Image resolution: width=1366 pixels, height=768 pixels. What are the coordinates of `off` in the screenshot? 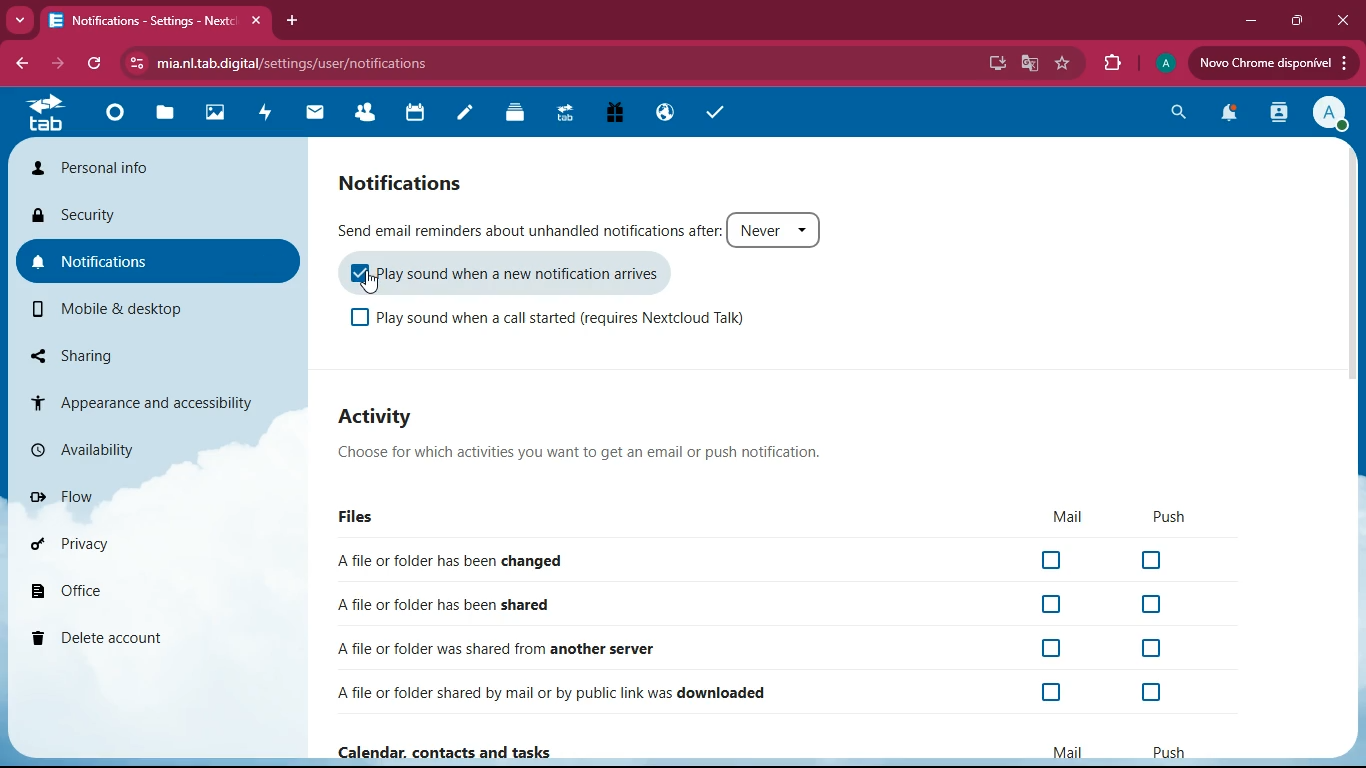 It's located at (359, 319).